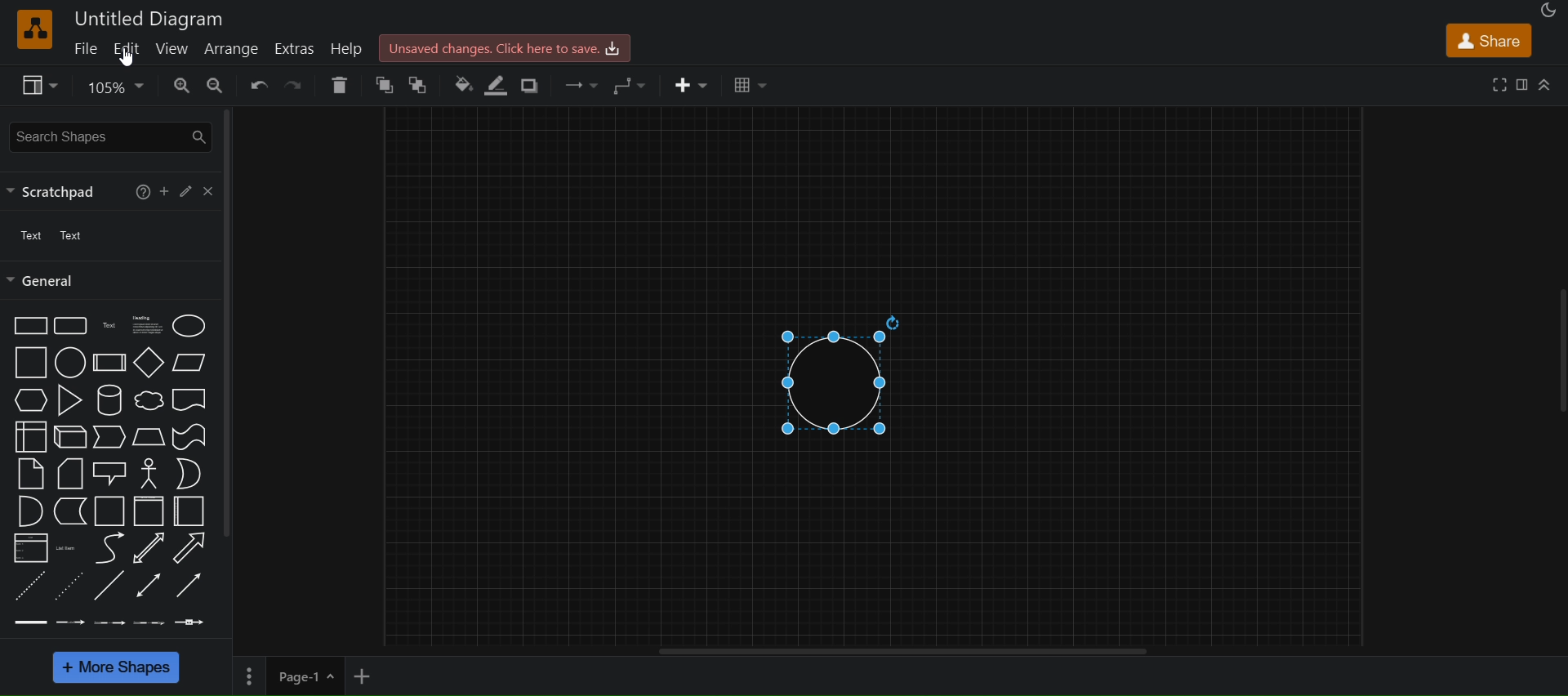 The image size is (1568, 696). I want to click on help, so click(345, 49).